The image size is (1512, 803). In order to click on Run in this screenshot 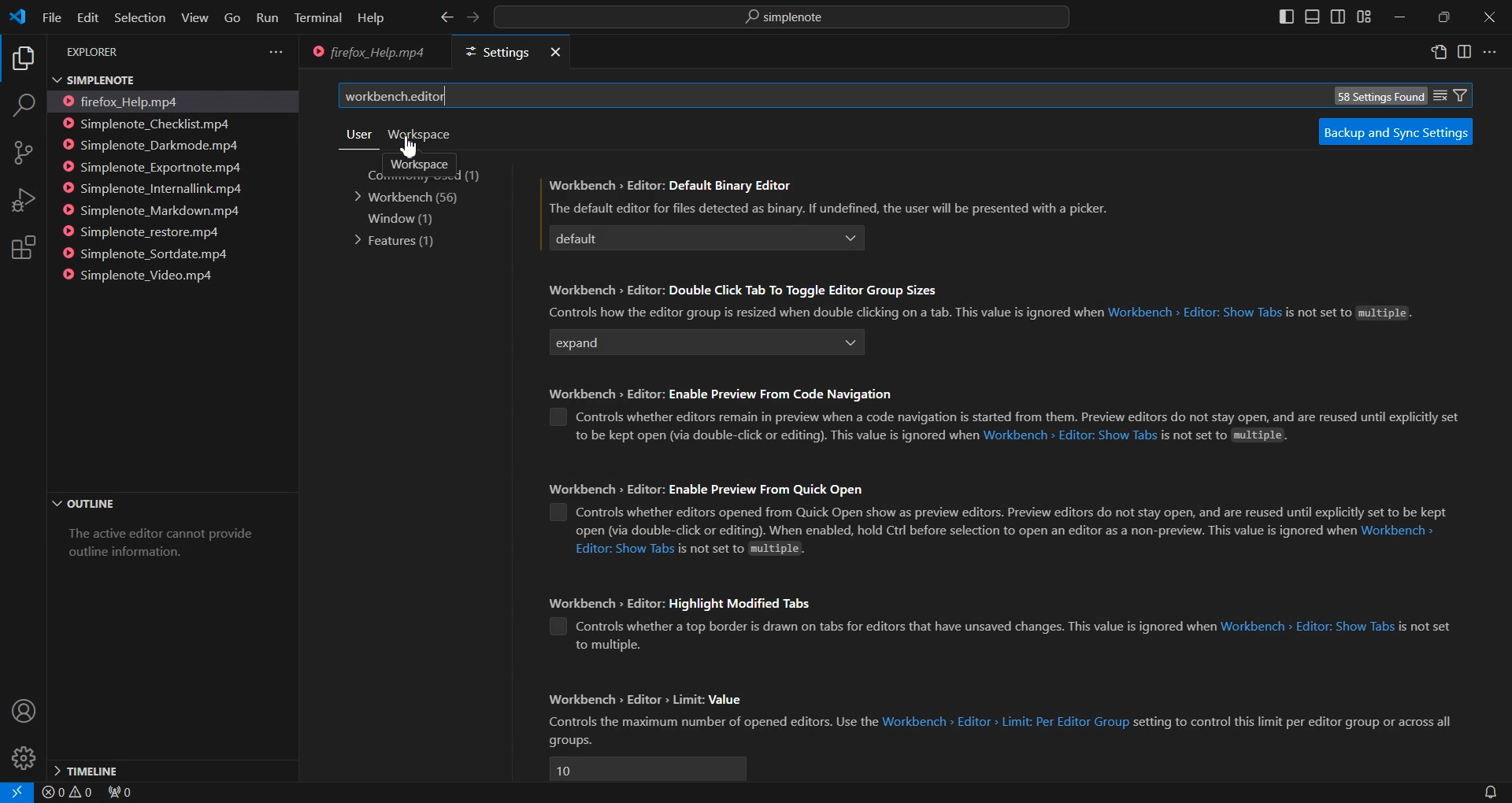, I will do `click(266, 19)`.